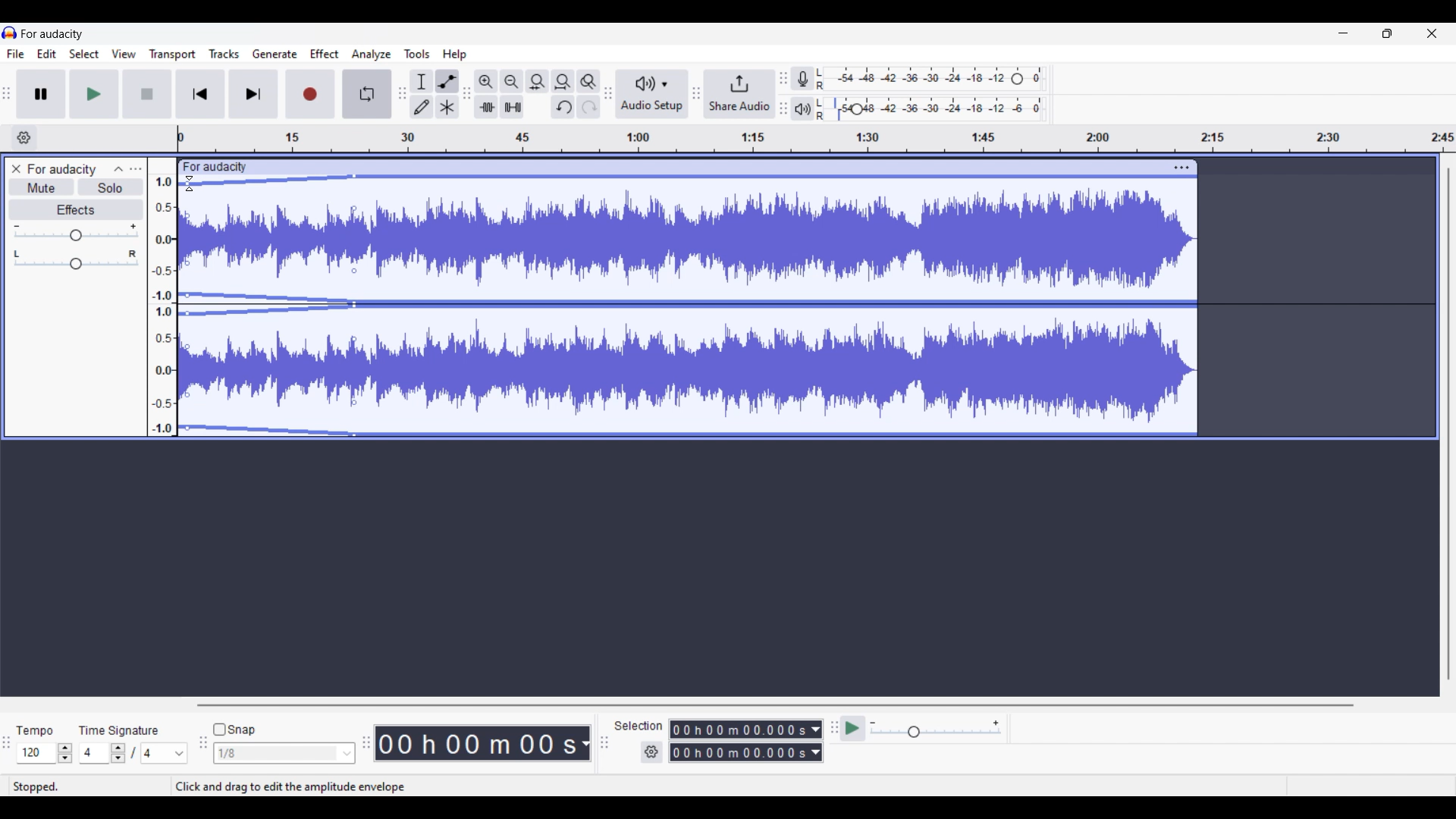 This screenshot has width=1456, height=819. I want to click on Multi tool, so click(447, 107).